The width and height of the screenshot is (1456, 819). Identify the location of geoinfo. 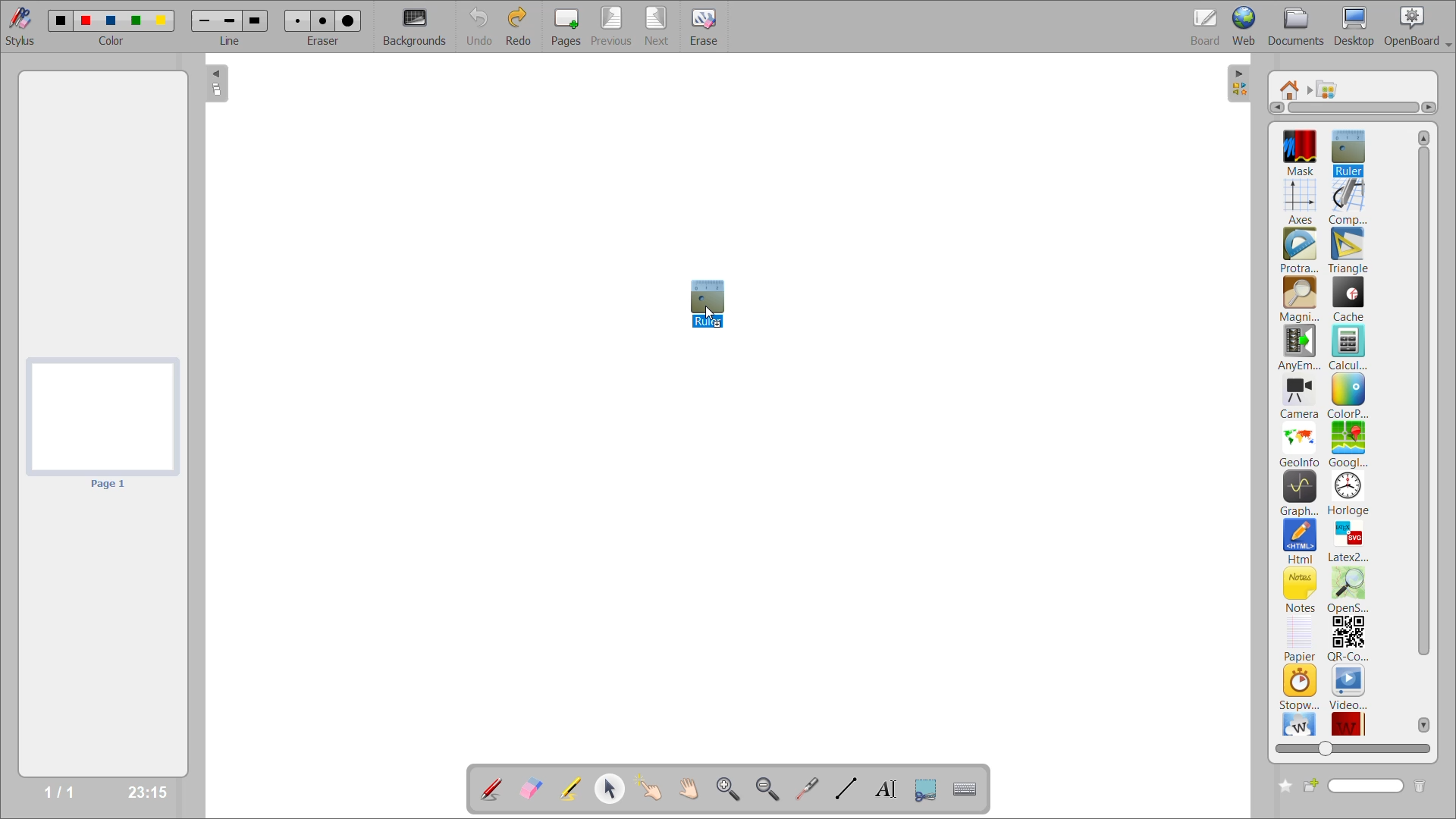
(1301, 444).